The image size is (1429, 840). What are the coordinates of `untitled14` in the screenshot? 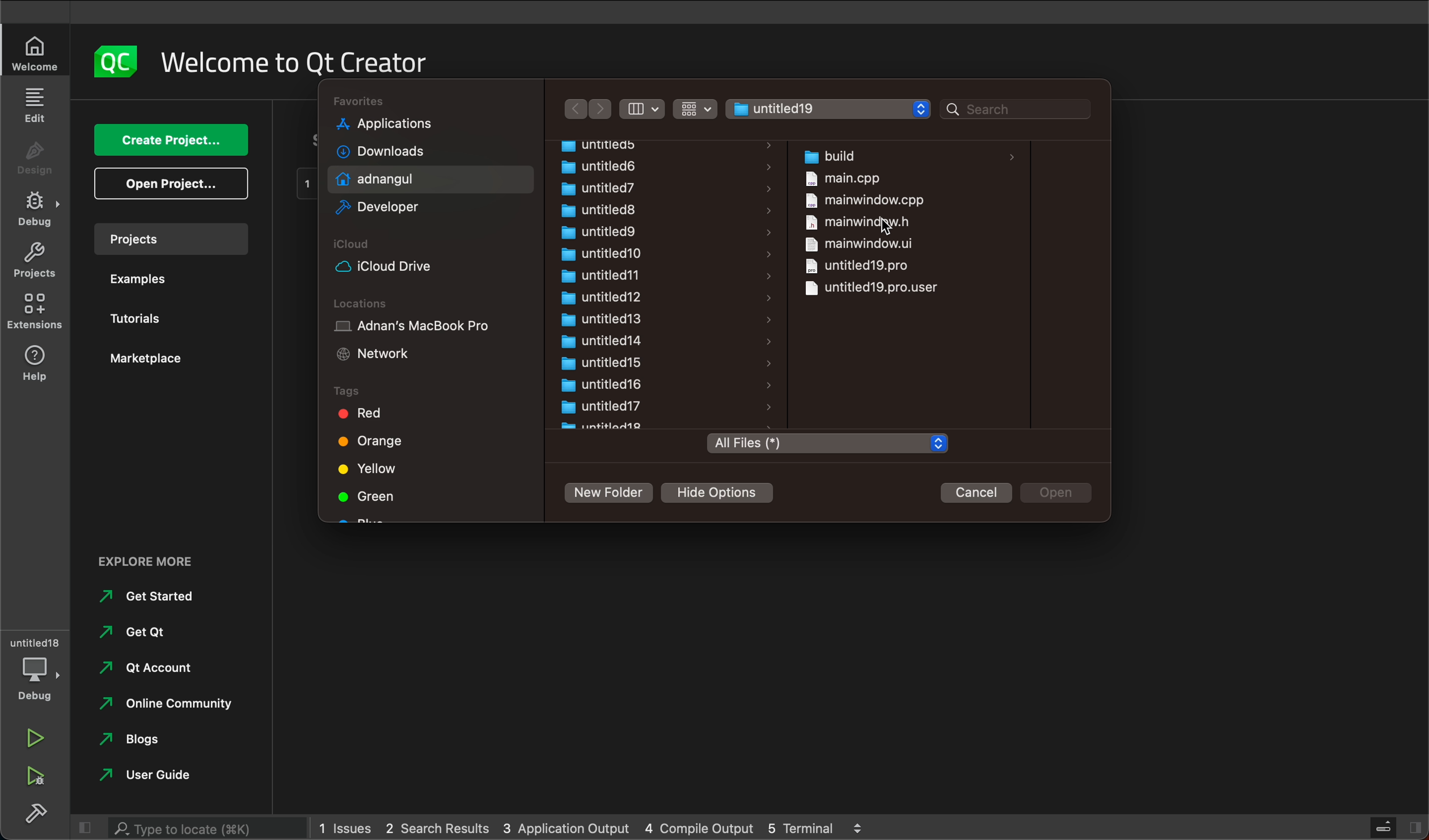 It's located at (599, 341).